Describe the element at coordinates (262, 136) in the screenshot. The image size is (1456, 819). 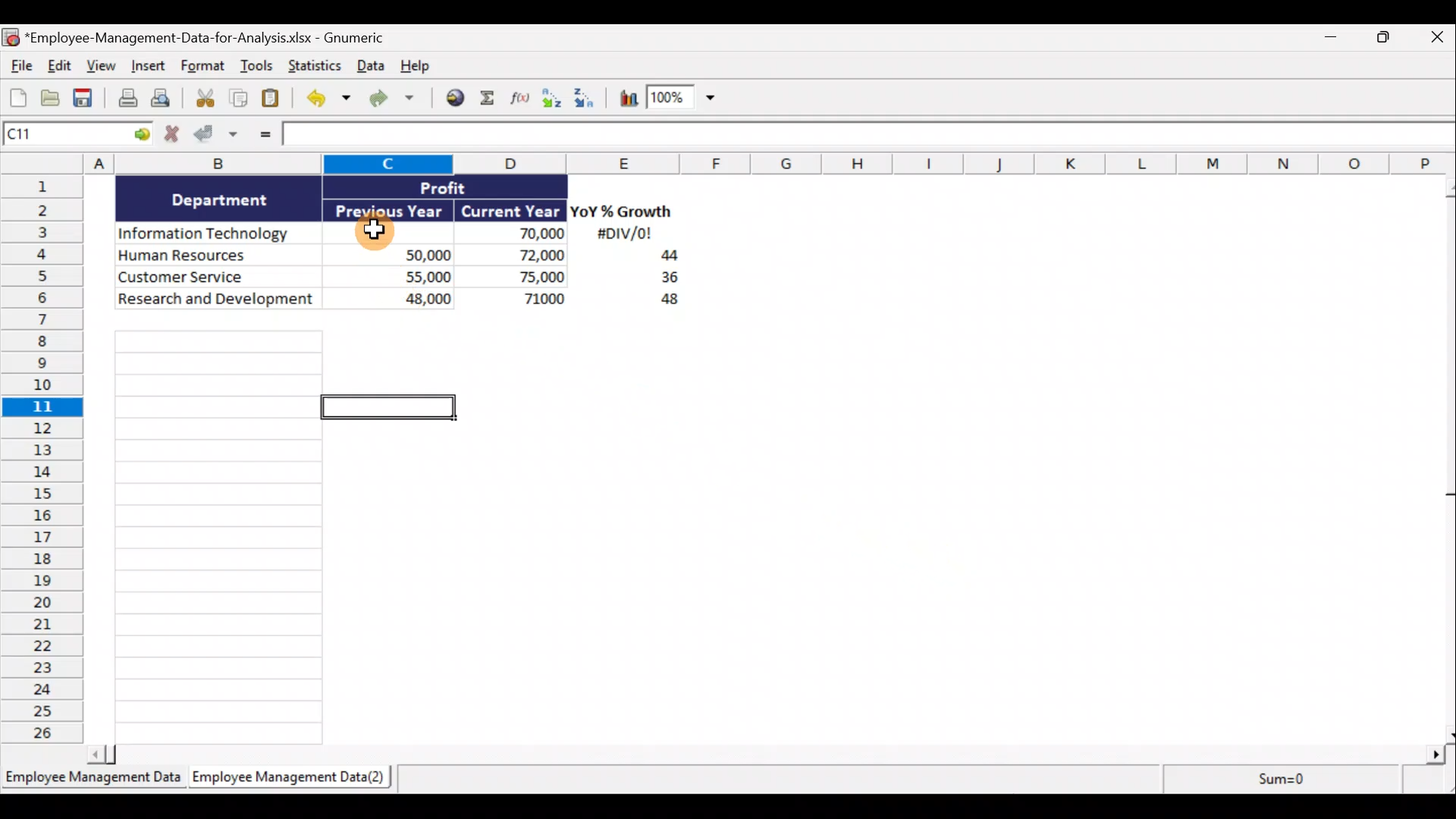
I see `Enter formula` at that location.